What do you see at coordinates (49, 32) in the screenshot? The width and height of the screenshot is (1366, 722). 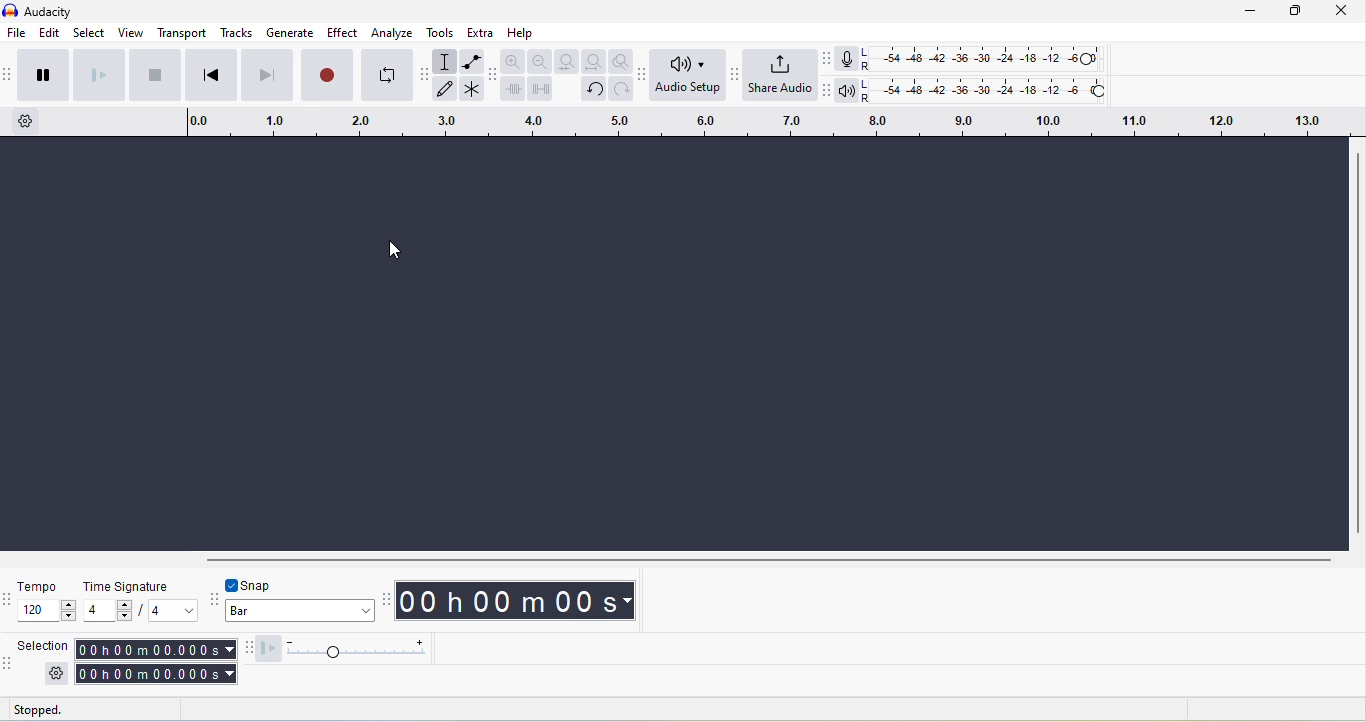 I see `edit` at bounding box center [49, 32].